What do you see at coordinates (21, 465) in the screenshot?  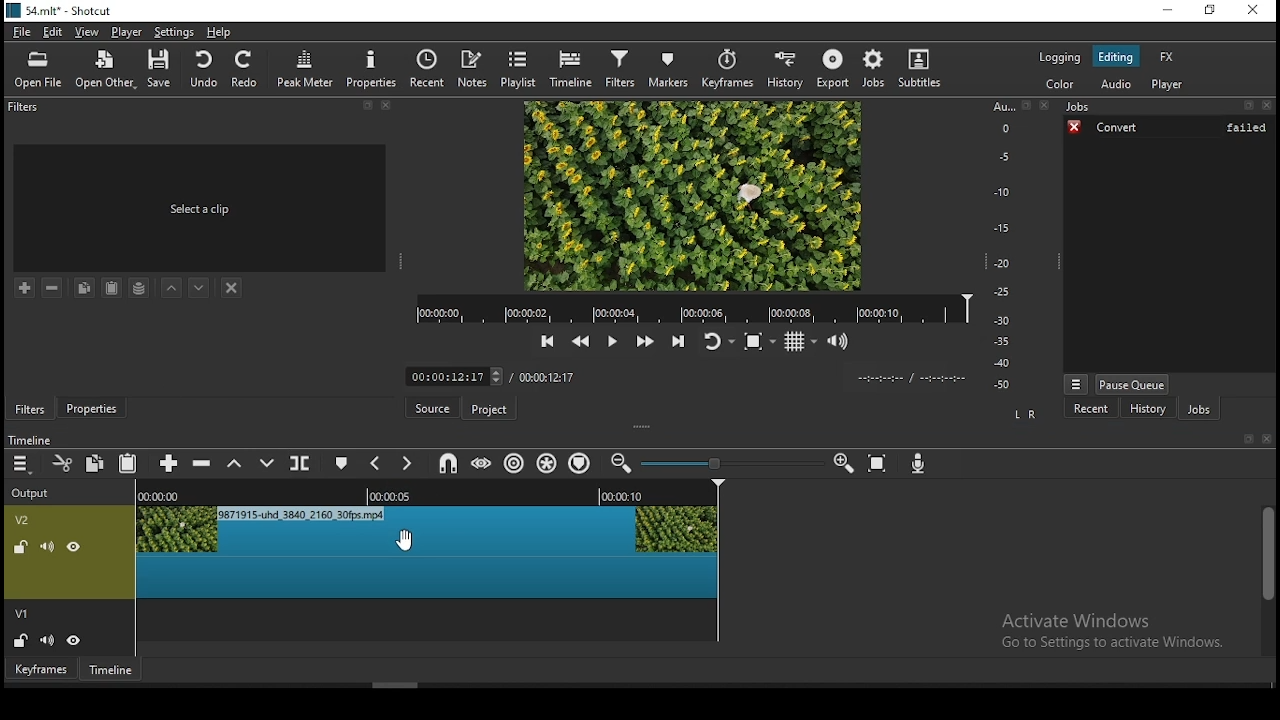 I see `timeline menu` at bounding box center [21, 465].